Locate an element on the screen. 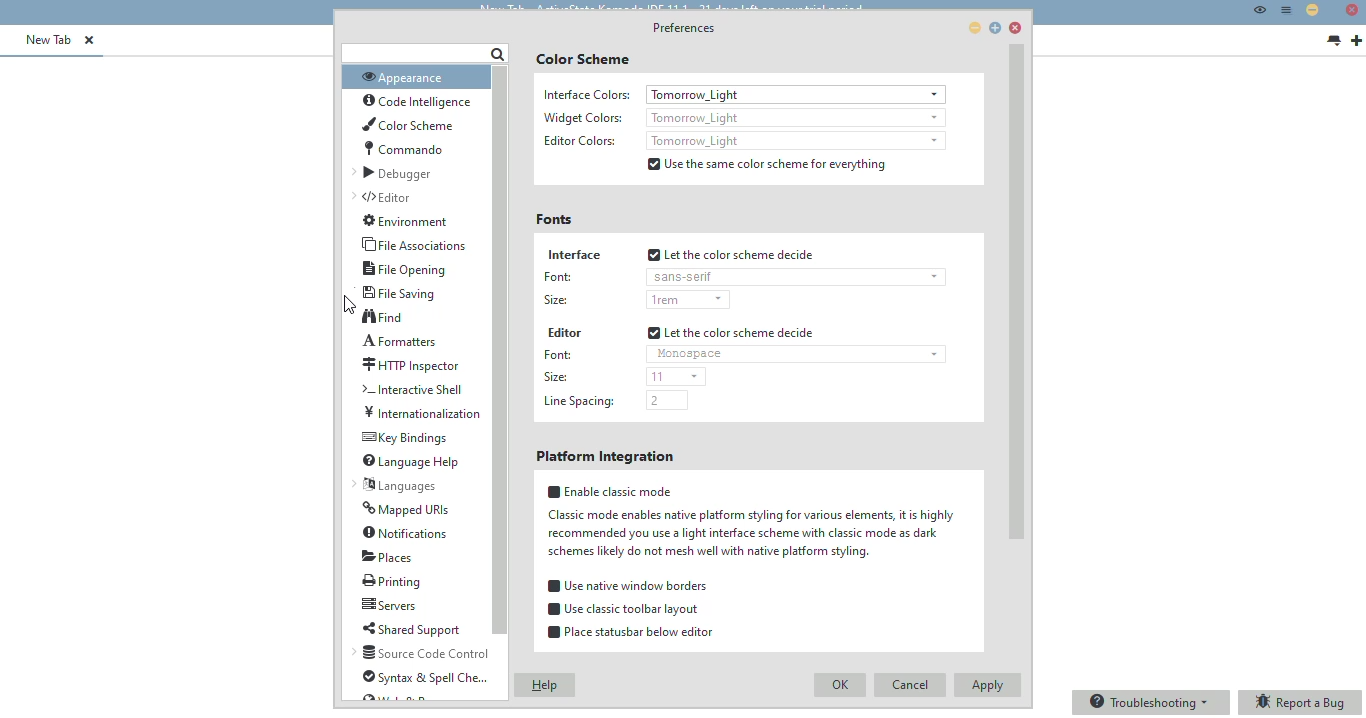 This screenshot has width=1366, height=718. languages is located at coordinates (393, 485).